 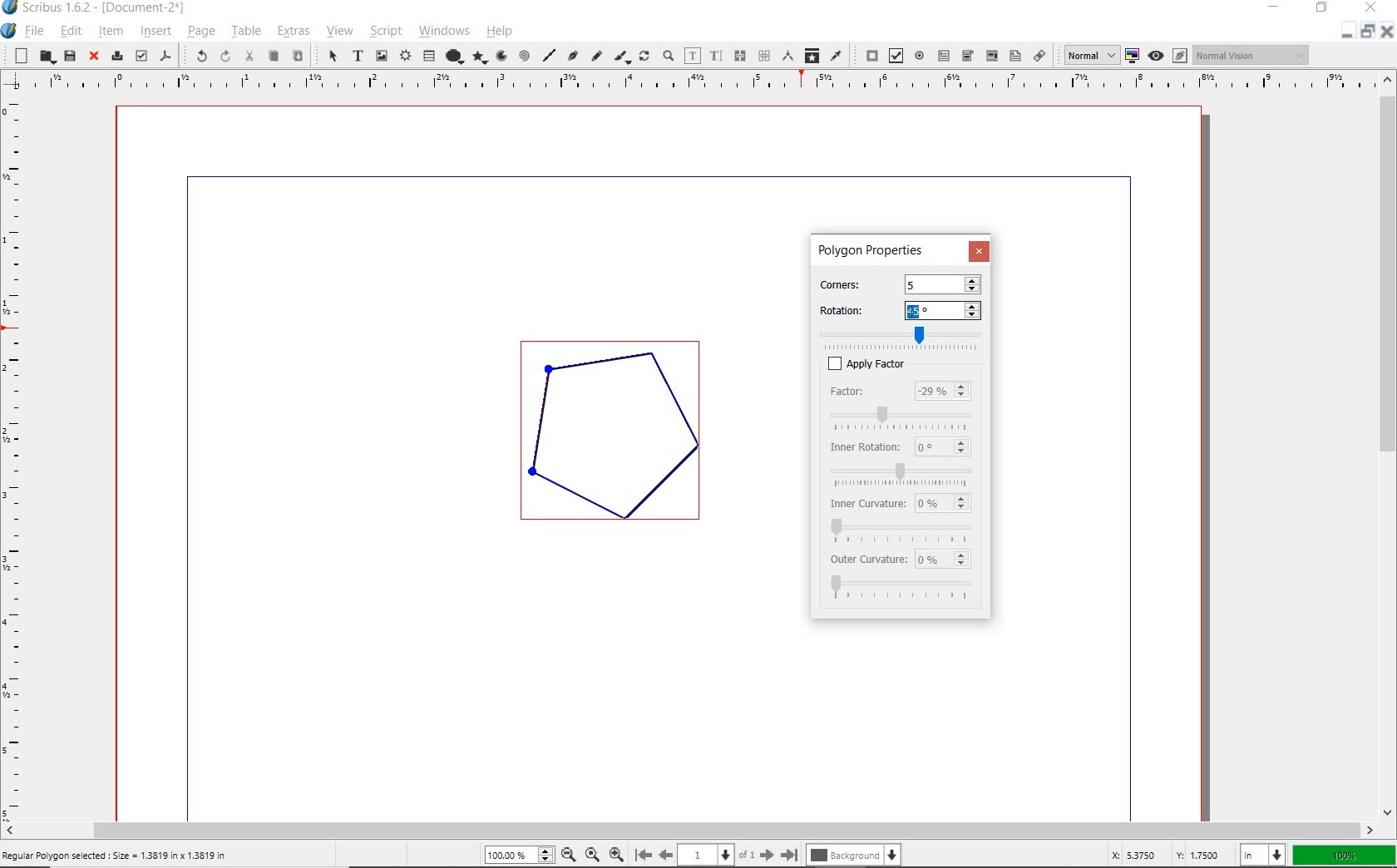 What do you see at coordinates (1130, 855) in the screenshot?
I see `x: 3.17%` at bounding box center [1130, 855].